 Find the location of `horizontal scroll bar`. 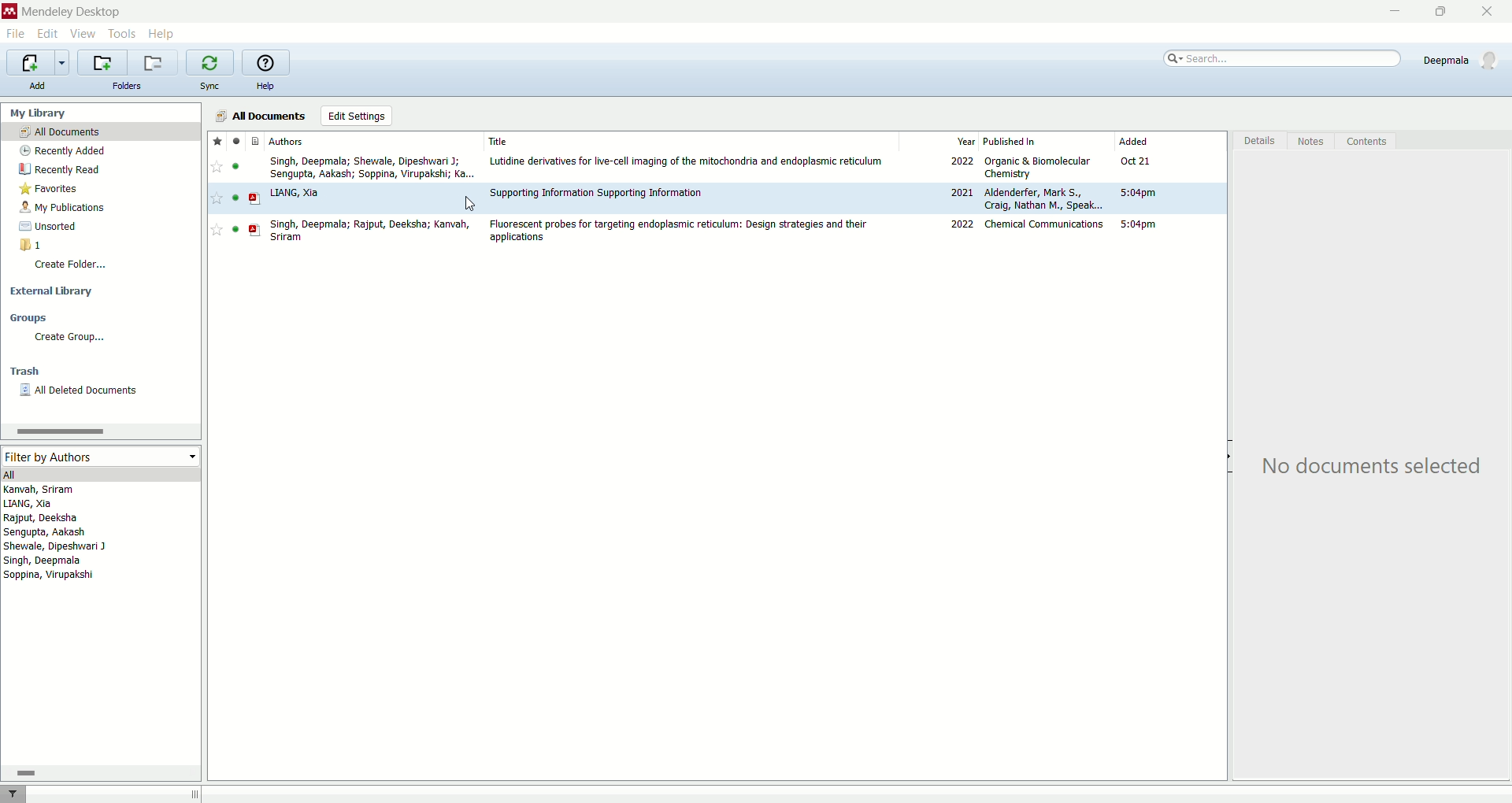

horizontal scroll bar is located at coordinates (100, 772).